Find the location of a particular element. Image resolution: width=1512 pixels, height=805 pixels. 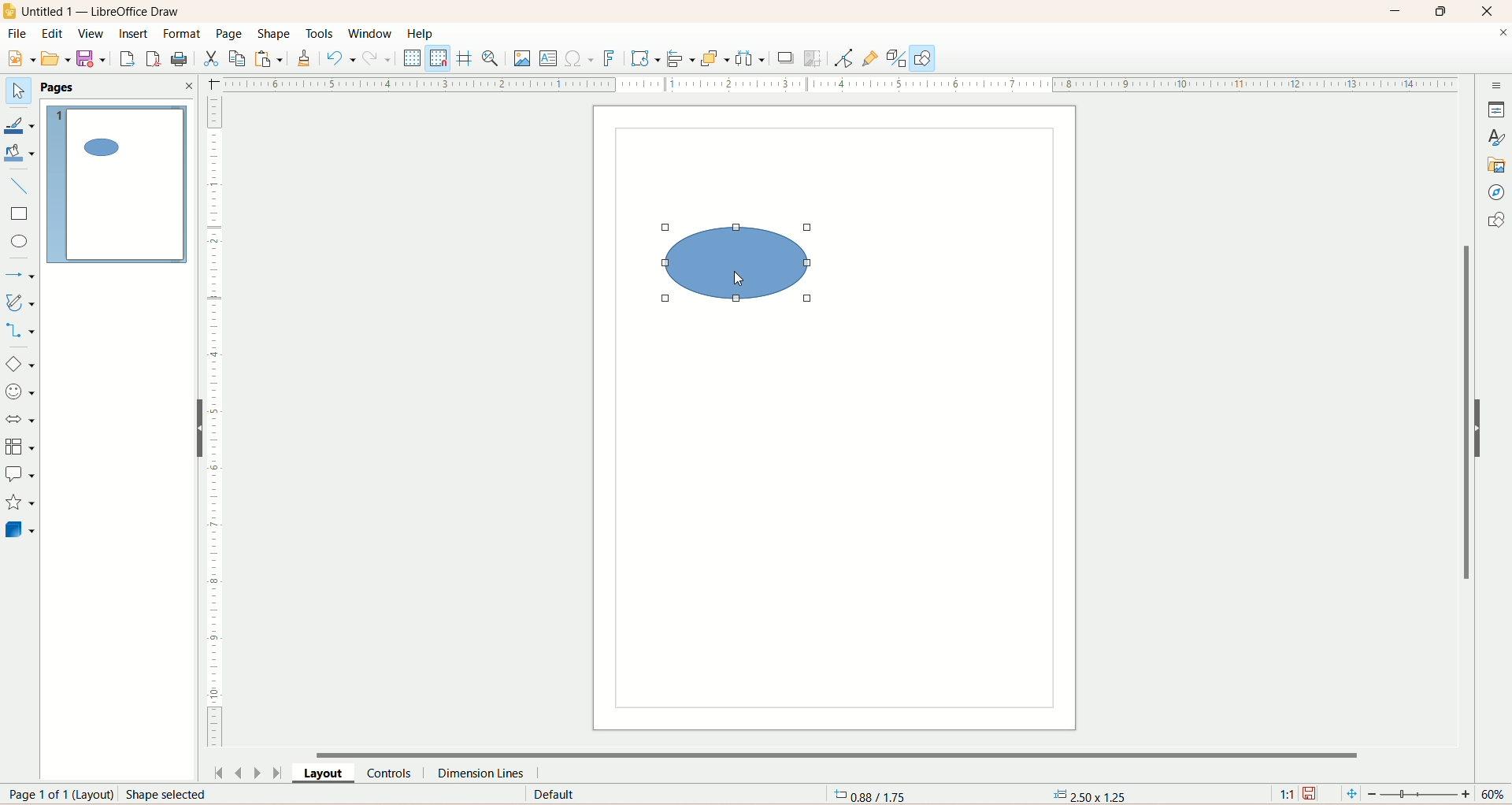

star and banners is located at coordinates (19, 502).